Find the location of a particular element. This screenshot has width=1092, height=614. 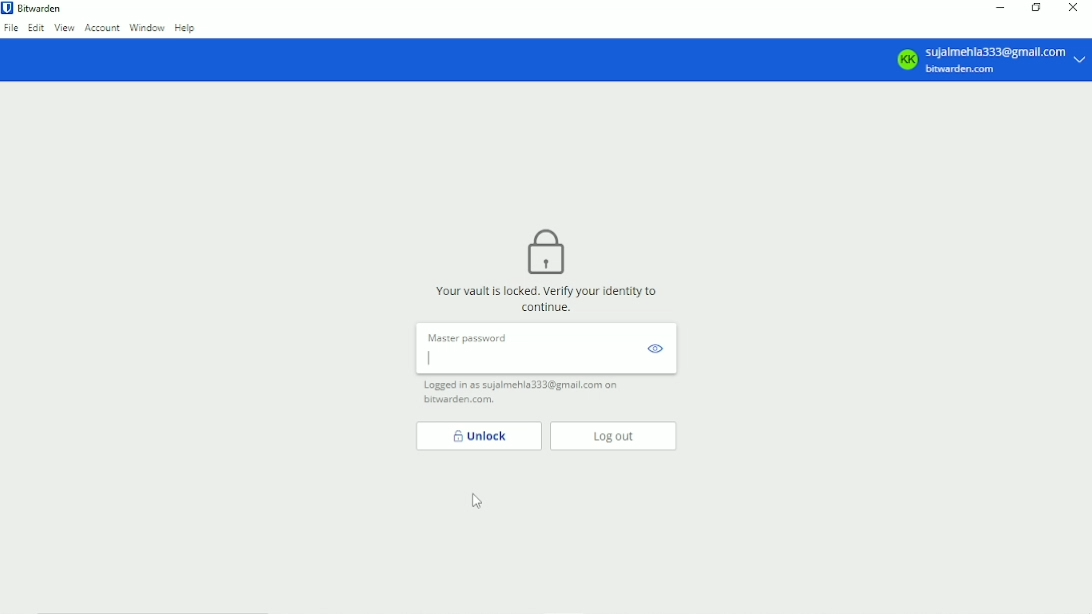

Cursor is located at coordinates (477, 501).